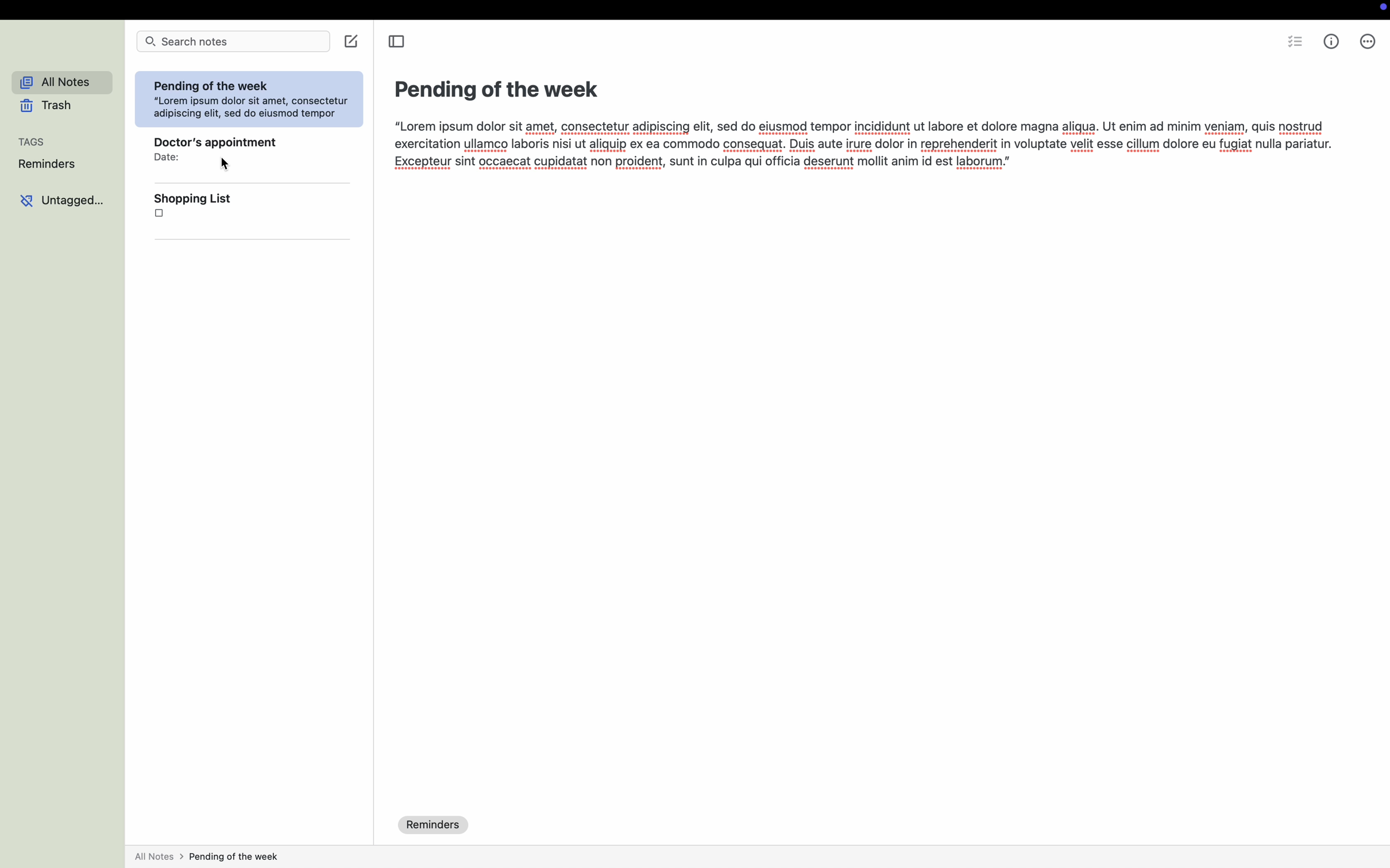 The height and width of the screenshot is (868, 1390). Describe the element at coordinates (1331, 41) in the screenshot. I see `metrics` at that location.